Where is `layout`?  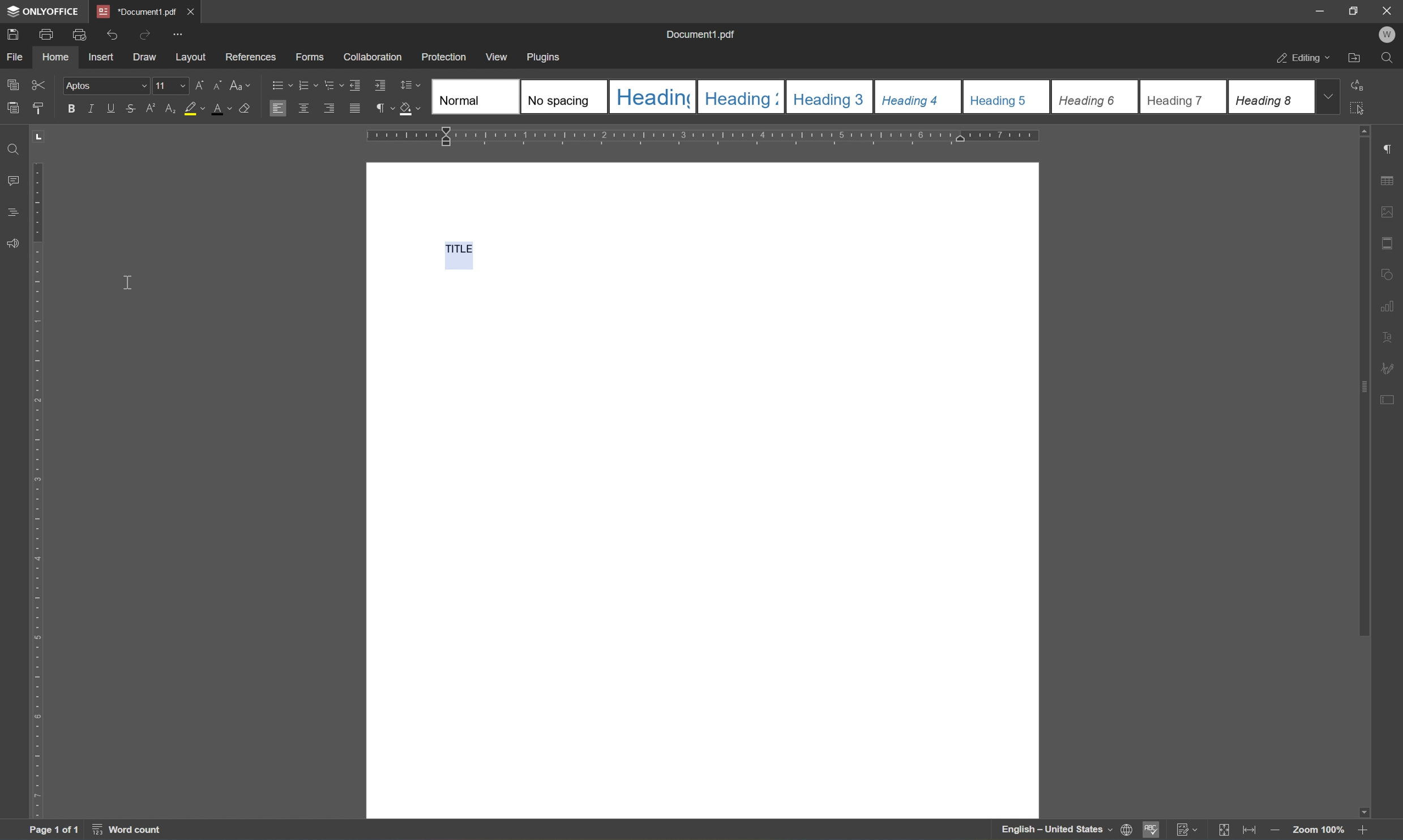 layout is located at coordinates (190, 59).